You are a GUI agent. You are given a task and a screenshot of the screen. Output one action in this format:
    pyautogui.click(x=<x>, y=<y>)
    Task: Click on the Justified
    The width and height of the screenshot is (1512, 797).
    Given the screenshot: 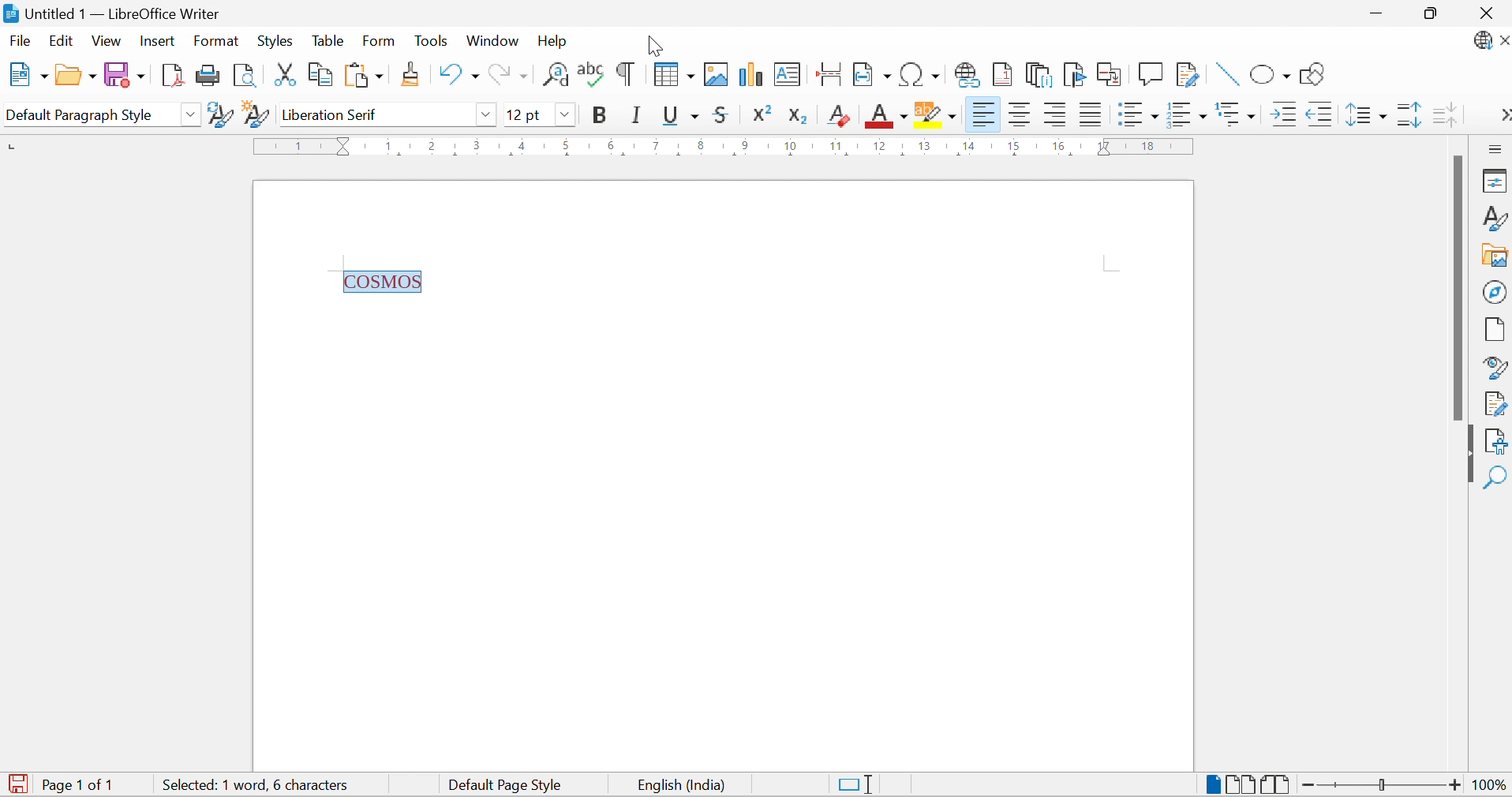 What is the action you would take?
    pyautogui.click(x=1090, y=114)
    